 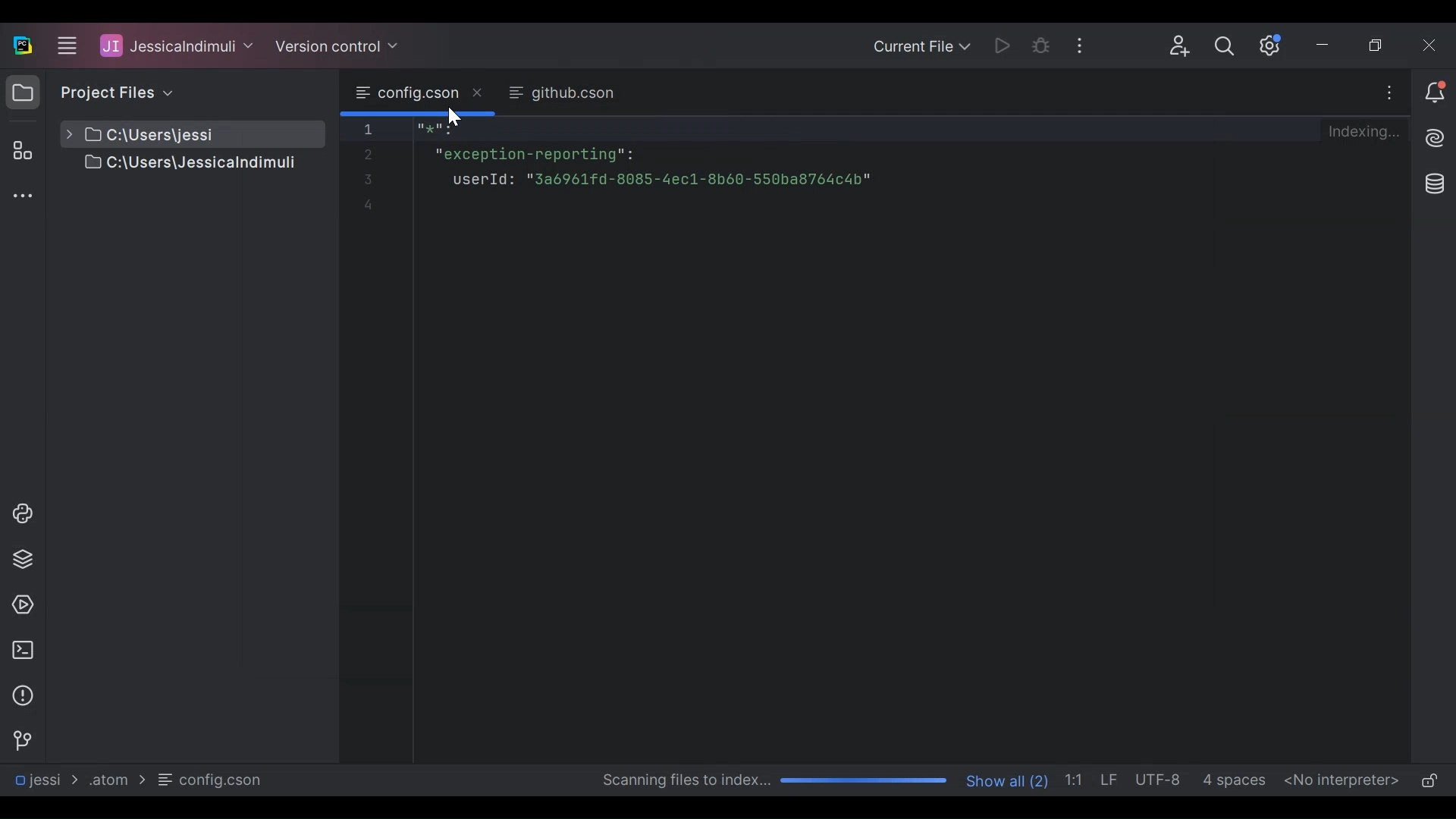 I want to click on Python Console, so click(x=22, y=513).